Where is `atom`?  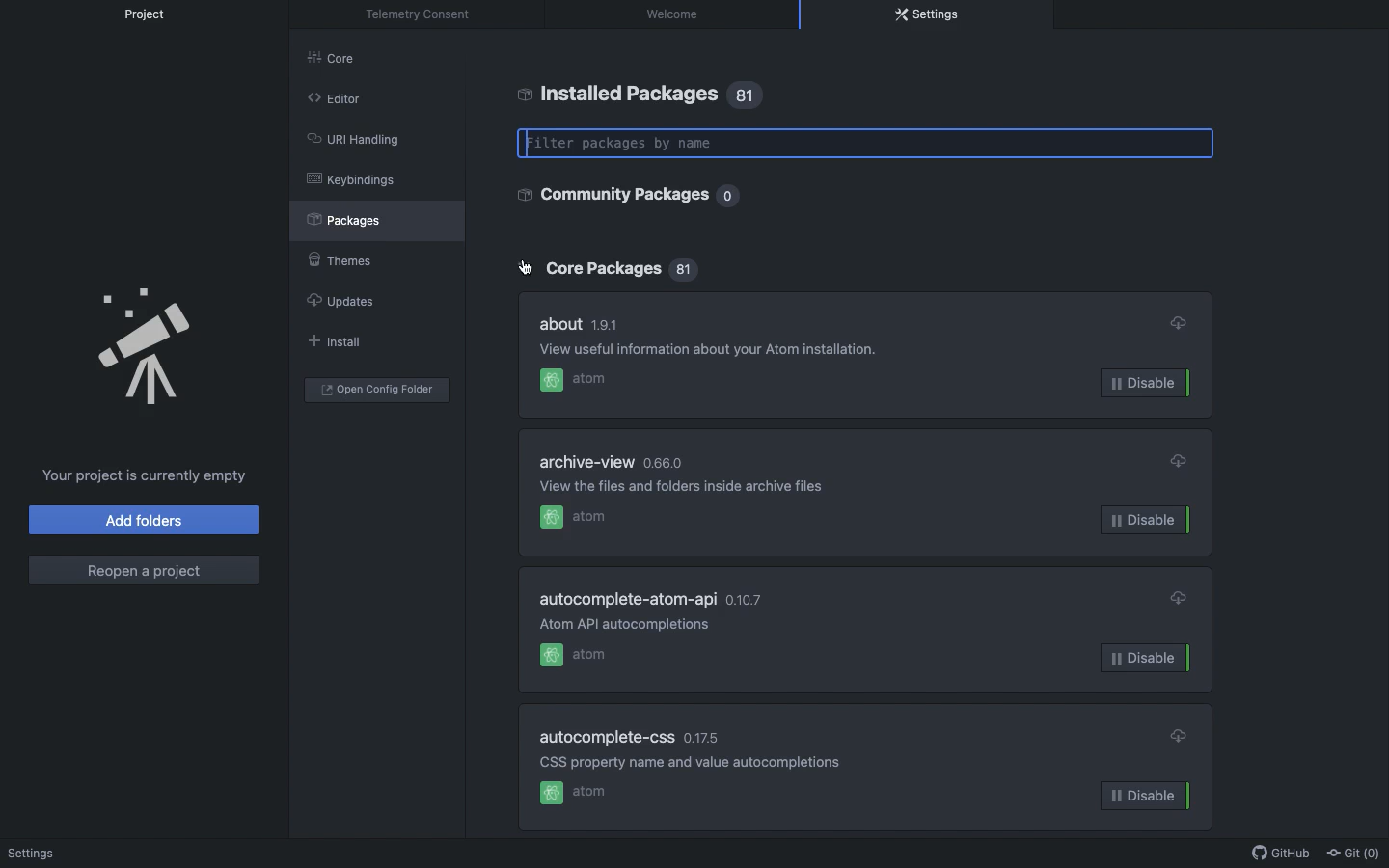
atom is located at coordinates (573, 379).